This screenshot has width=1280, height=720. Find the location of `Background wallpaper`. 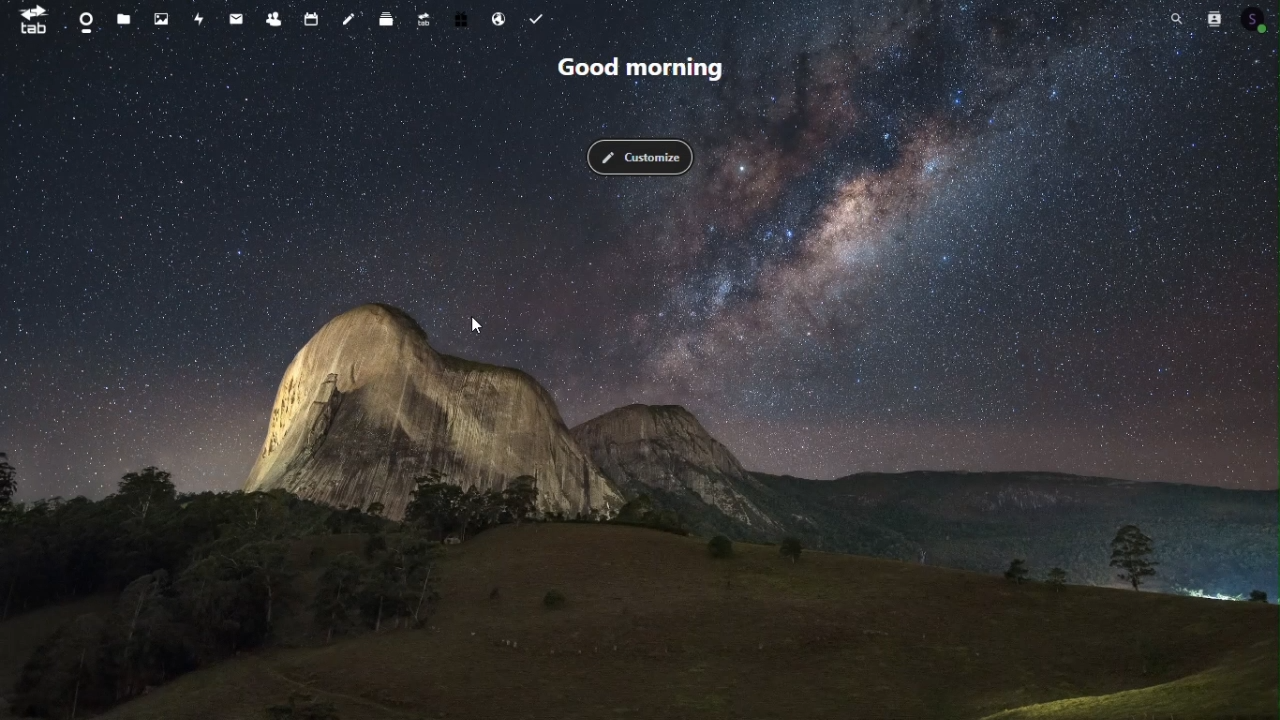

Background wallpaper is located at coordinates (639, 451).